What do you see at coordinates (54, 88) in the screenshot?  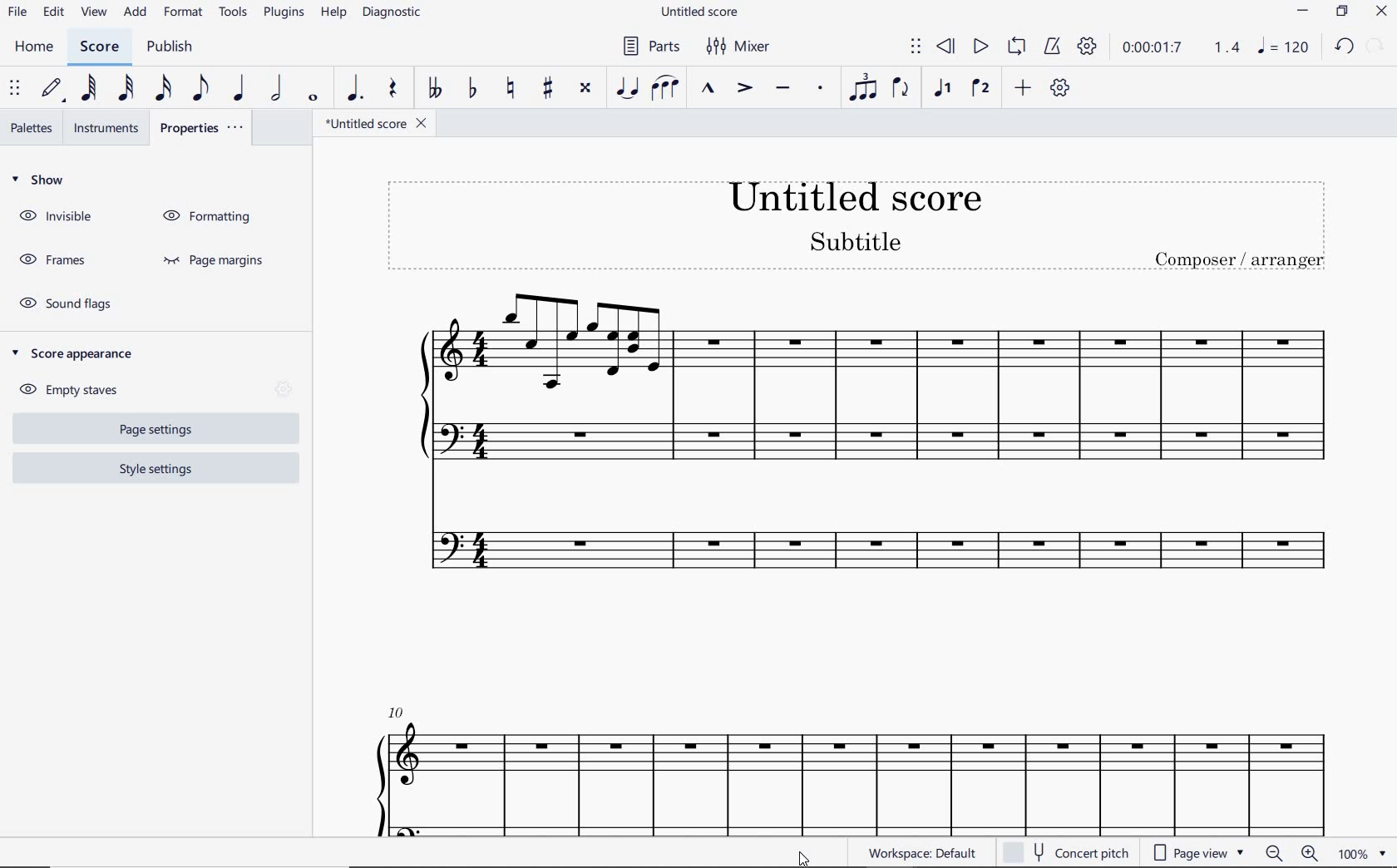 I see `DEFAULT (STEP TIME)` at bounding box center [54, 88].